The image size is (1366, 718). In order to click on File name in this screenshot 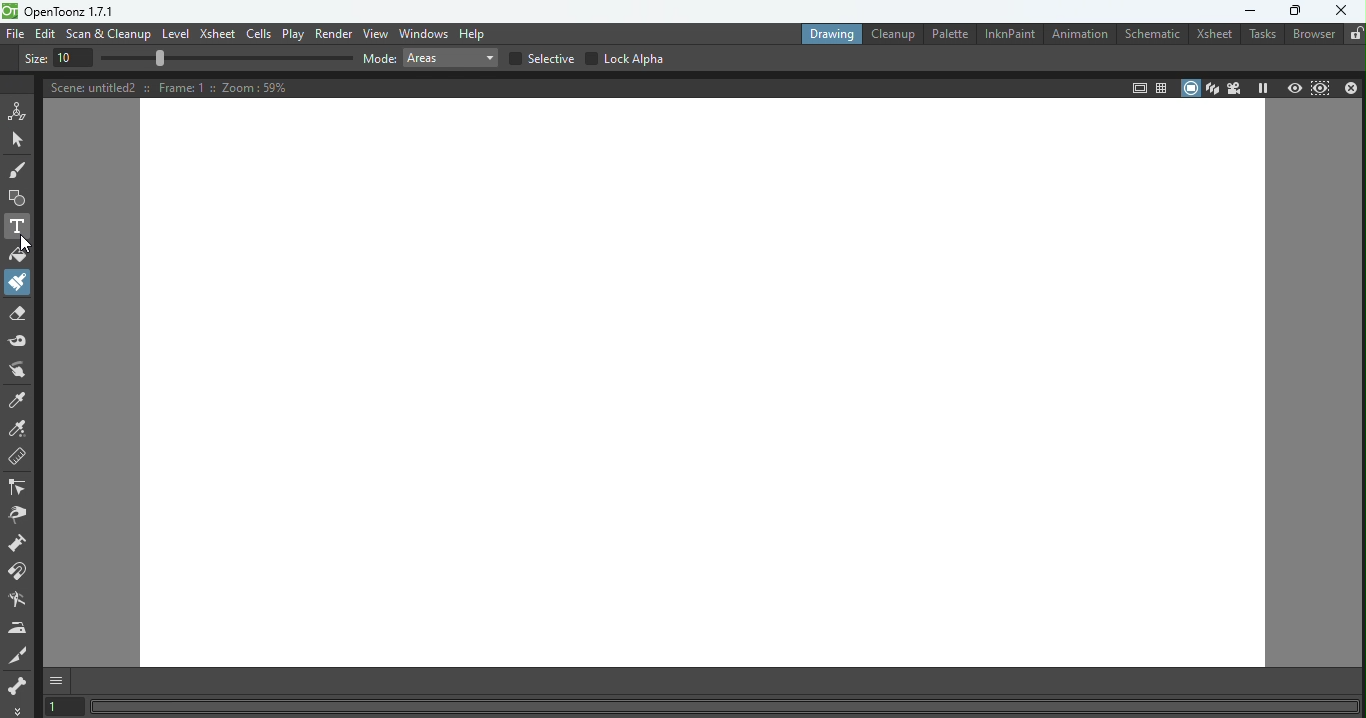, I will do `click(84, 11)`.